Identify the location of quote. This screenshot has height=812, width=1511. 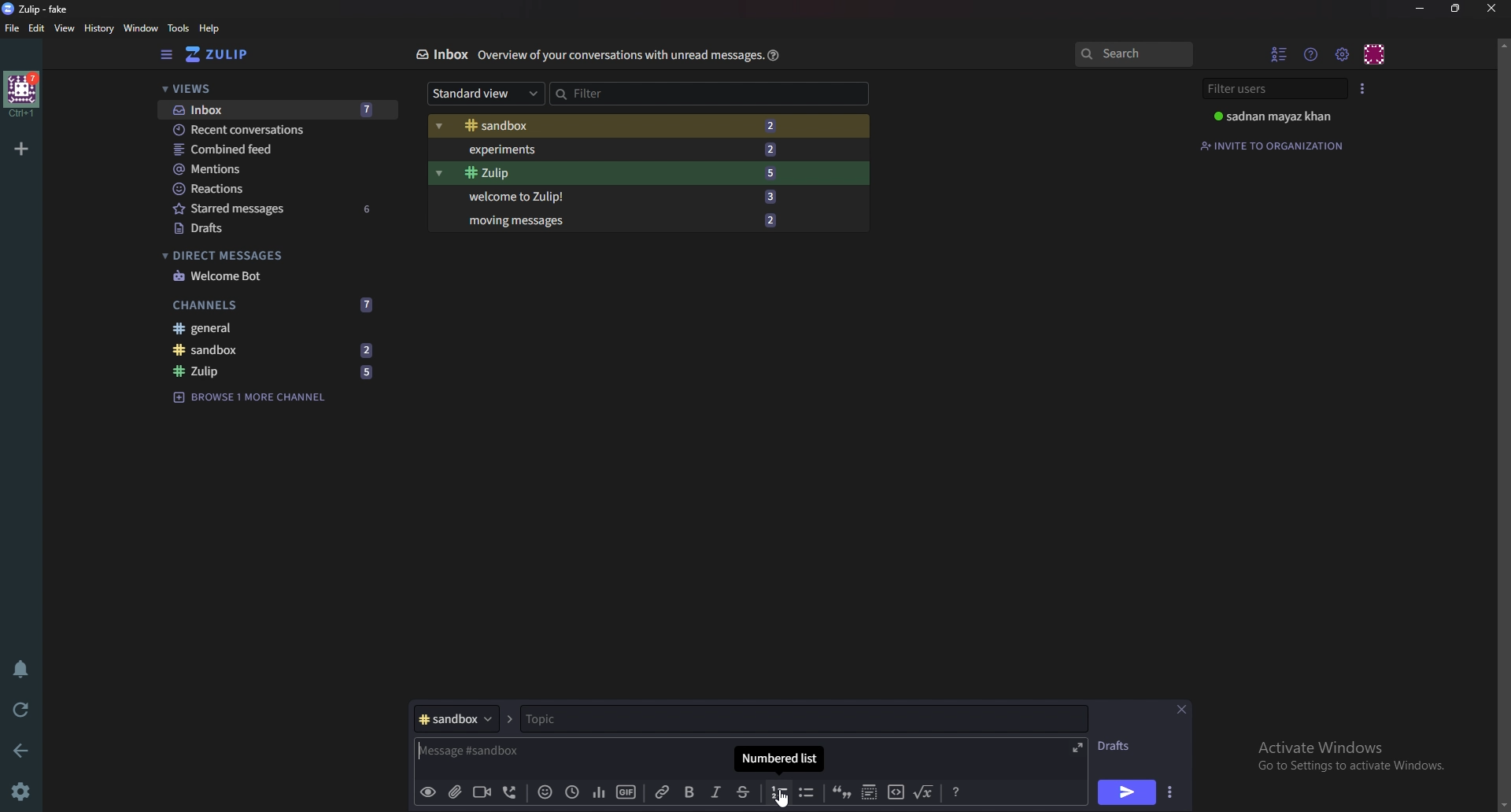
(843, 794).